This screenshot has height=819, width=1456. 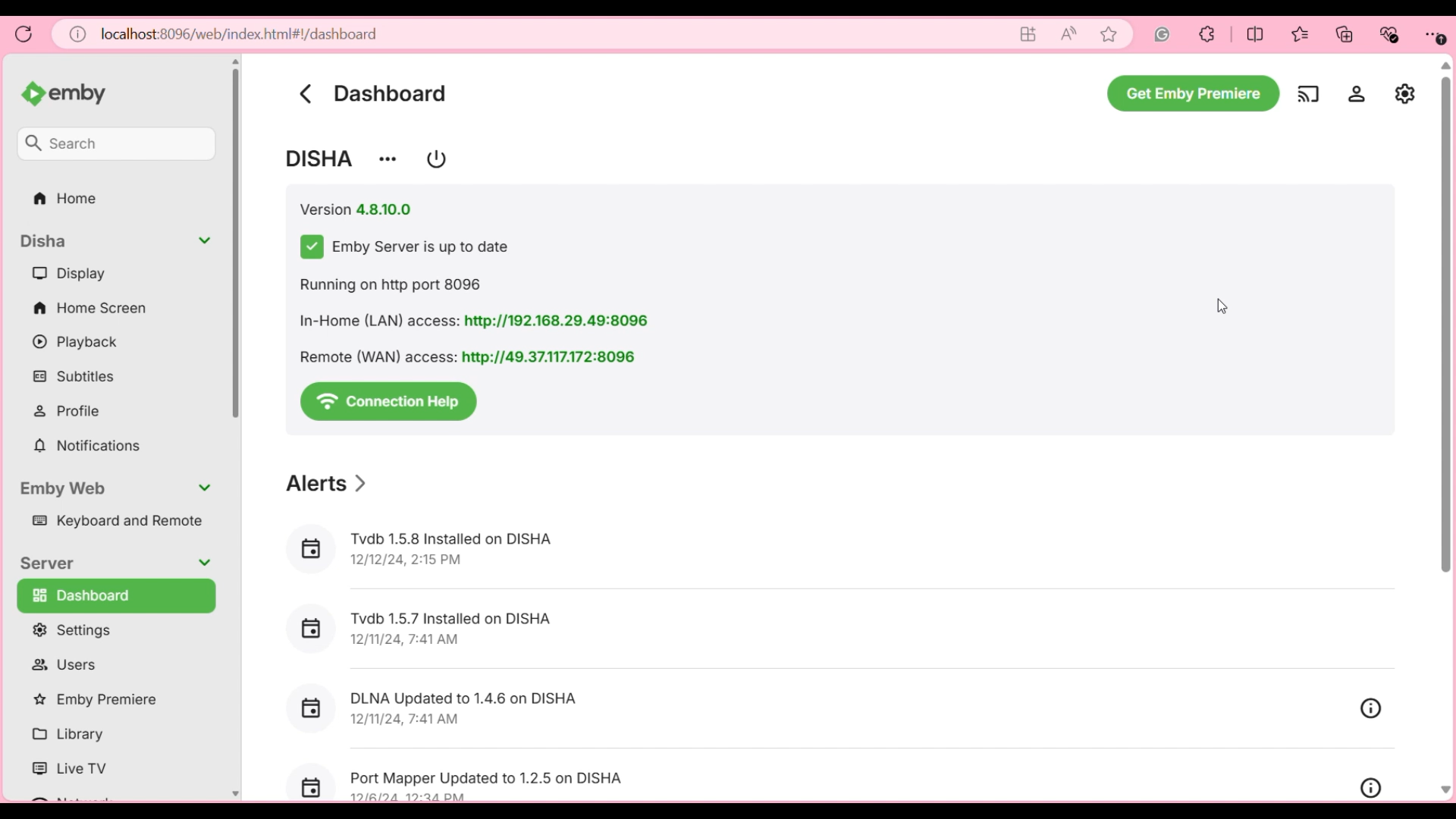 I want to click on Grammarly extension for browser, so click(x=1163, y=34).